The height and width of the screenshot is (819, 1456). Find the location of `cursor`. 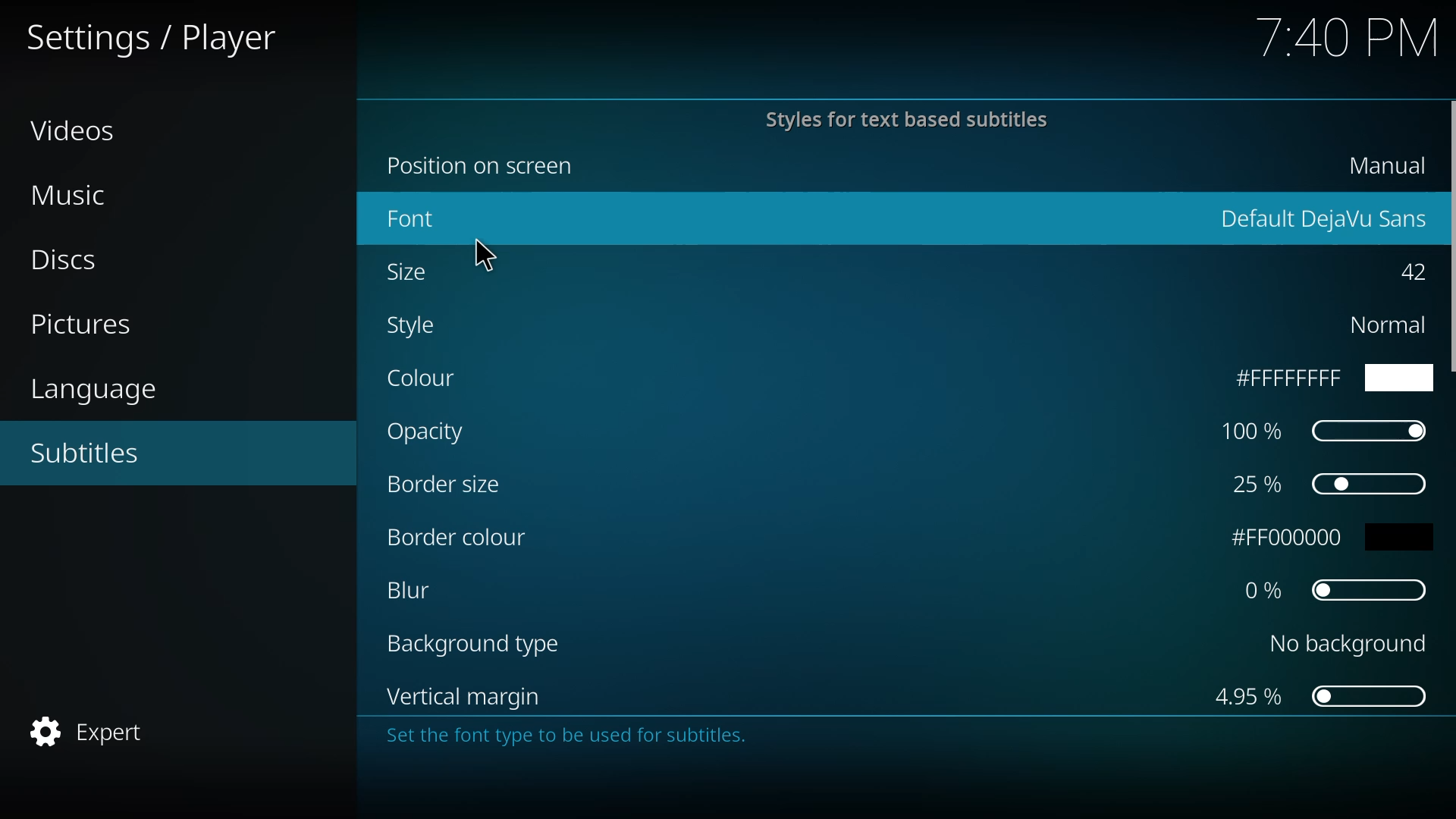

cursor is located at coordinates (488, 253).